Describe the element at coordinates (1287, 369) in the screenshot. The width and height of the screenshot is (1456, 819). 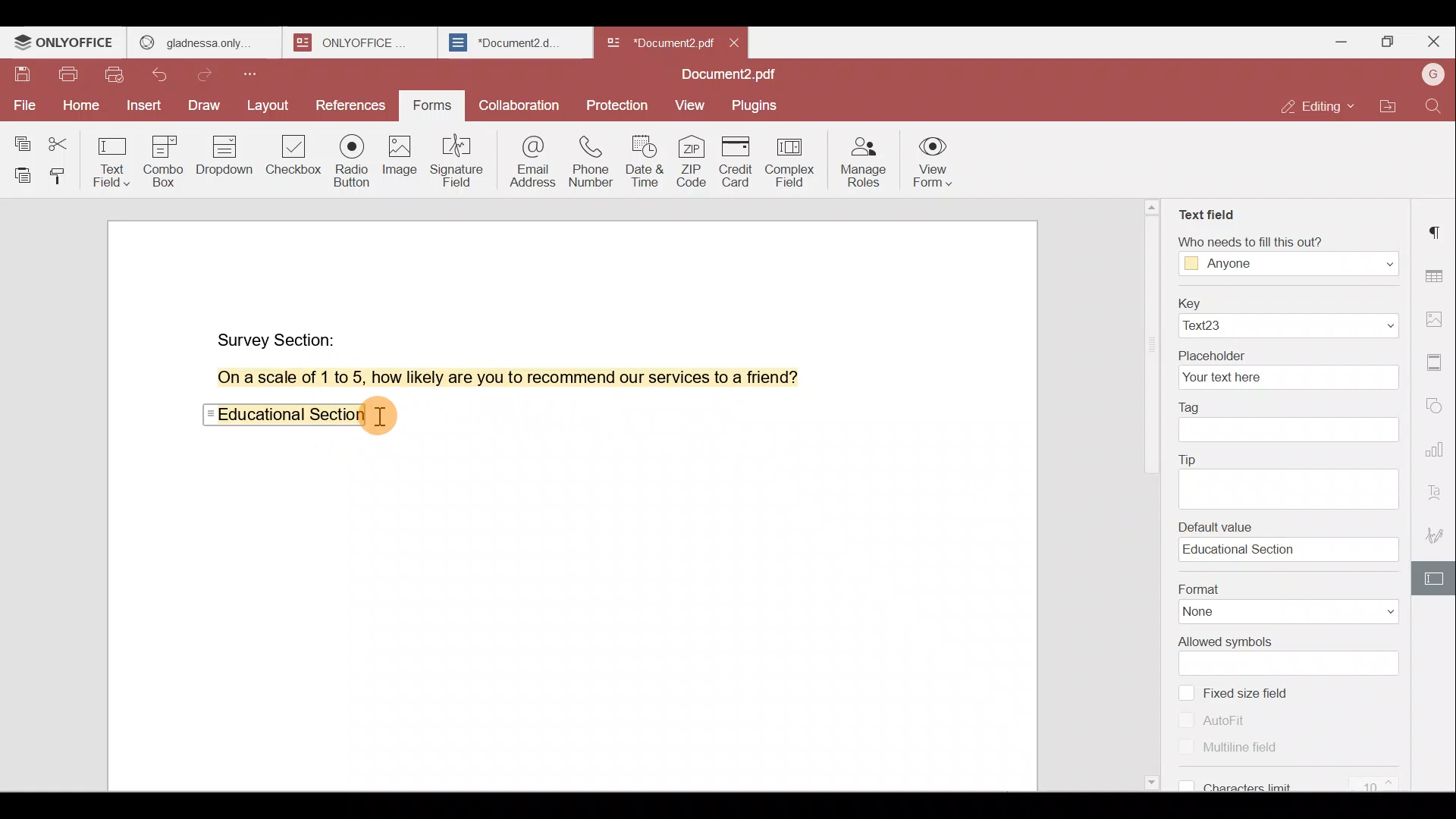
I see `Placeholder` at that location.